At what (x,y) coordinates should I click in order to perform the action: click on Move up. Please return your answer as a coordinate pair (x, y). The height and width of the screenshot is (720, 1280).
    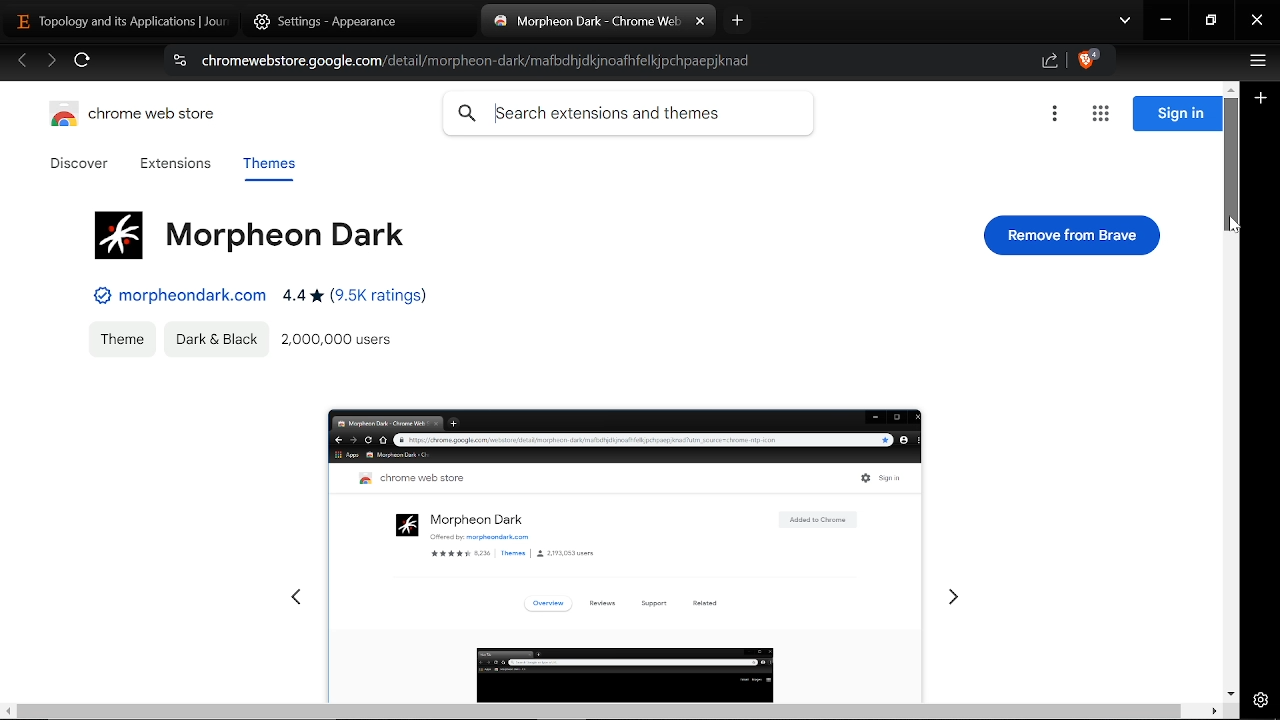
    Looking at the image, I should click on (1230, 87).